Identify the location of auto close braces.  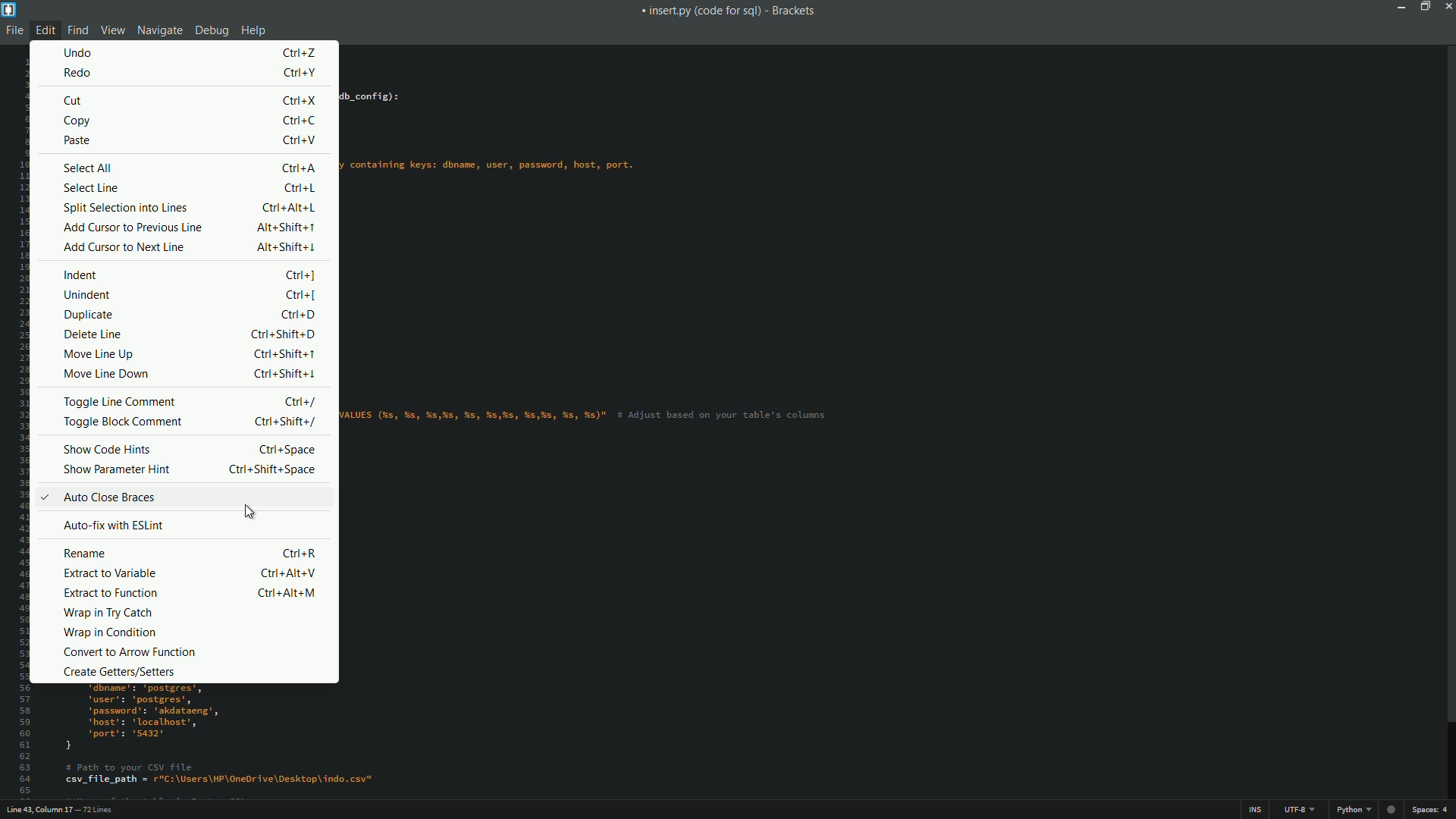
(96, 497).